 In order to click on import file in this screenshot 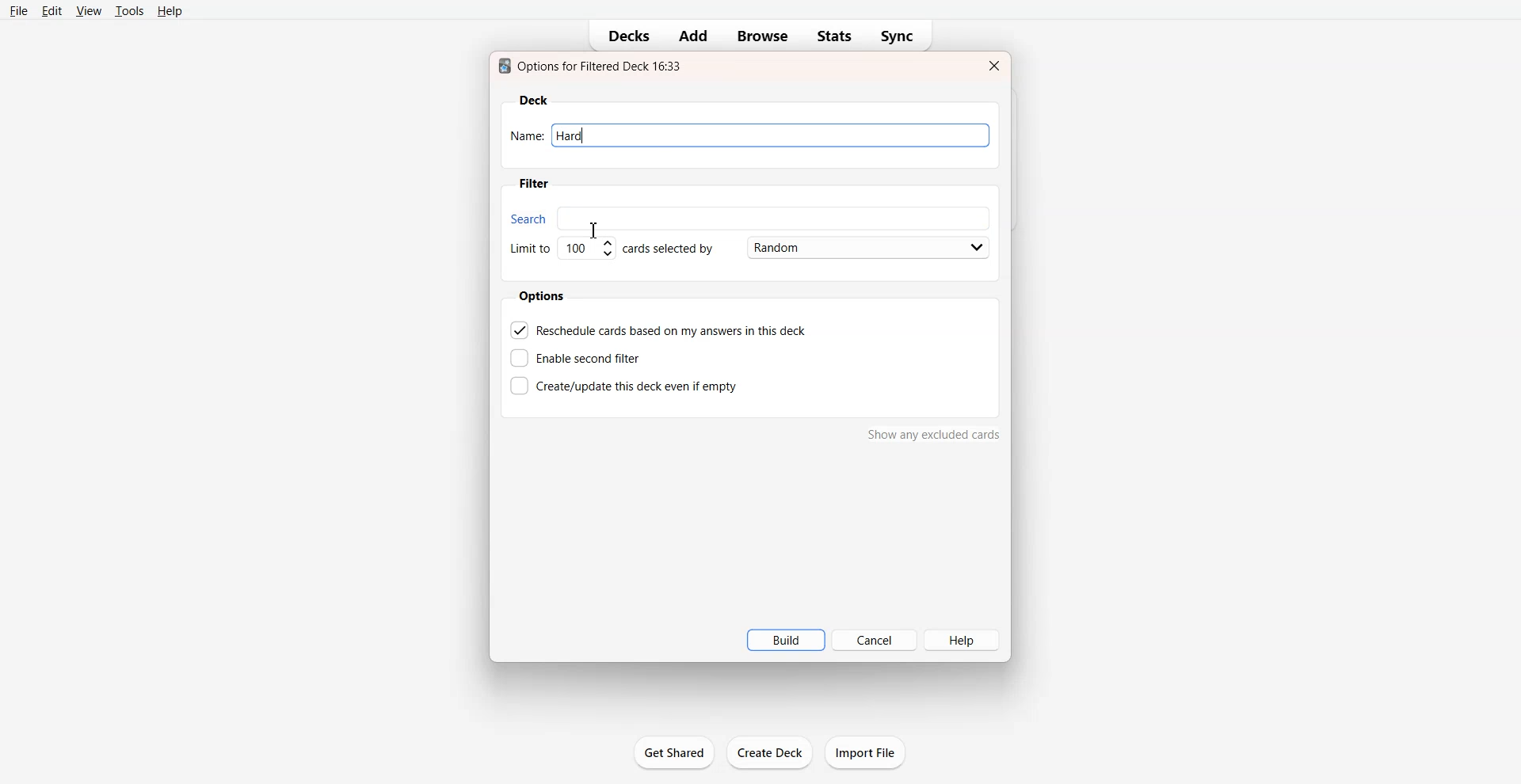, I will do `click(871, 752)`.